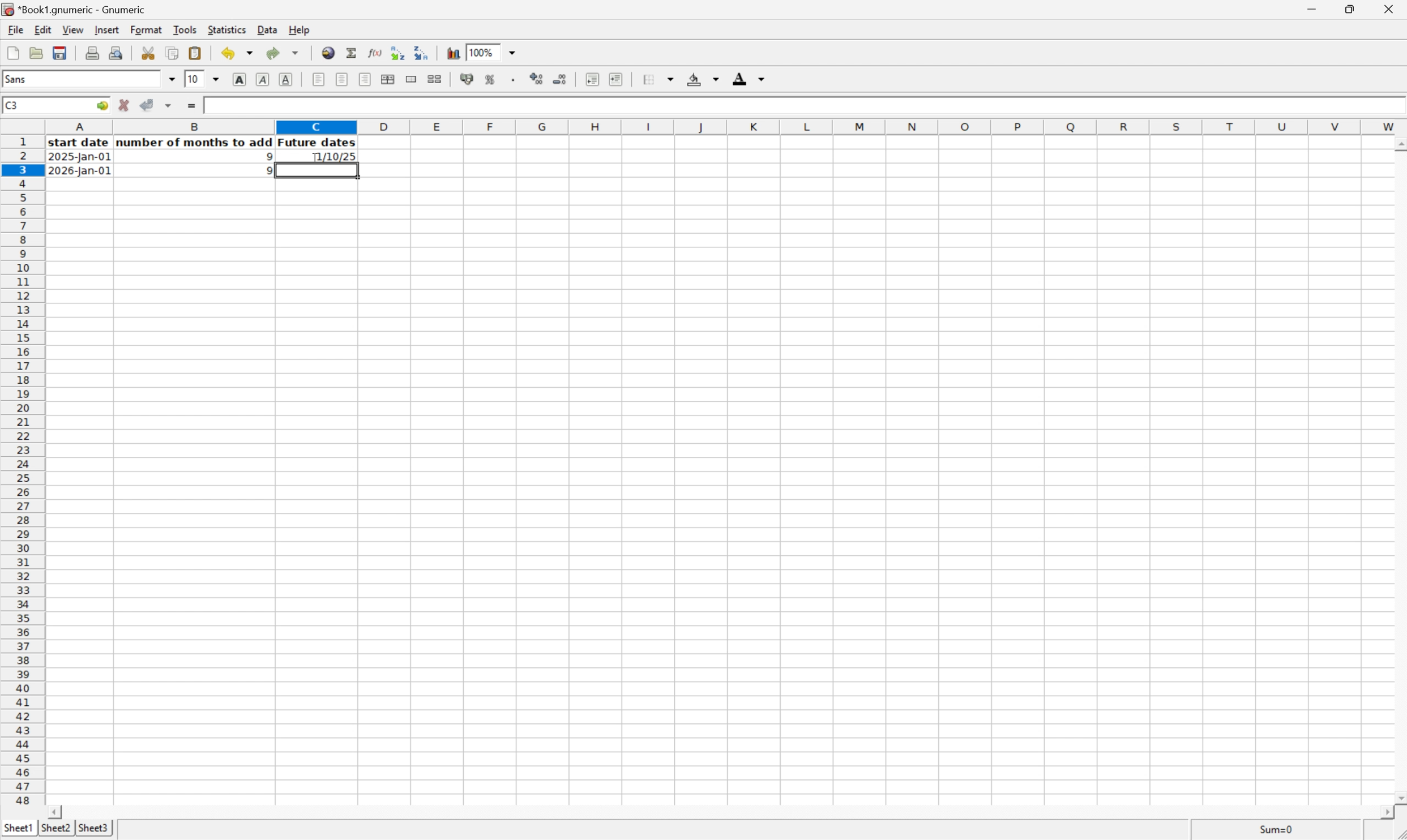  What do you see at coordinates (240, 80) in the screenshot?
I see `Bold` at bounding box center [240, 80].